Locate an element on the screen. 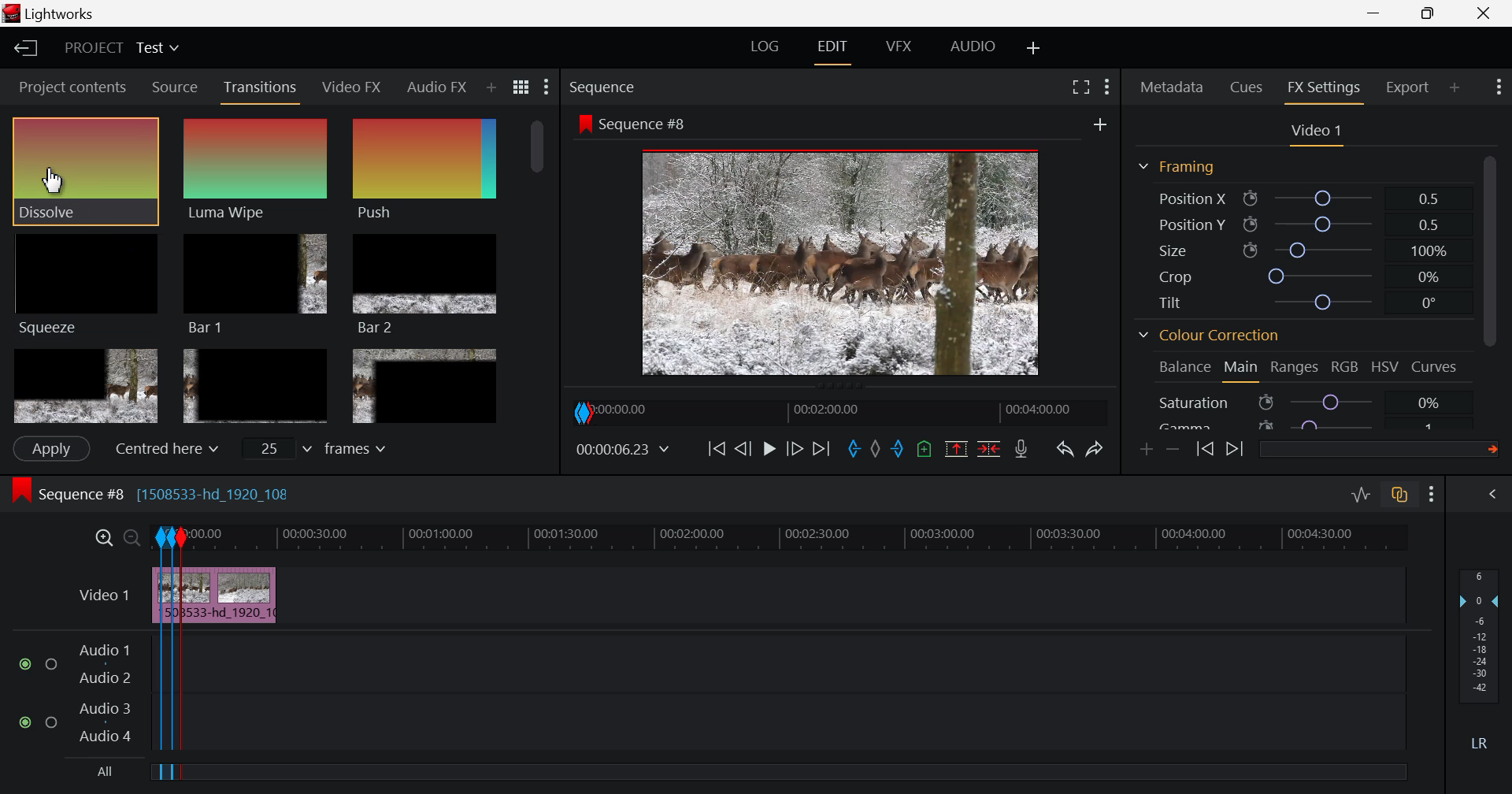 The width and height of the screenshot is (1512, 794). Out mark is located at coordinates (898, 450).